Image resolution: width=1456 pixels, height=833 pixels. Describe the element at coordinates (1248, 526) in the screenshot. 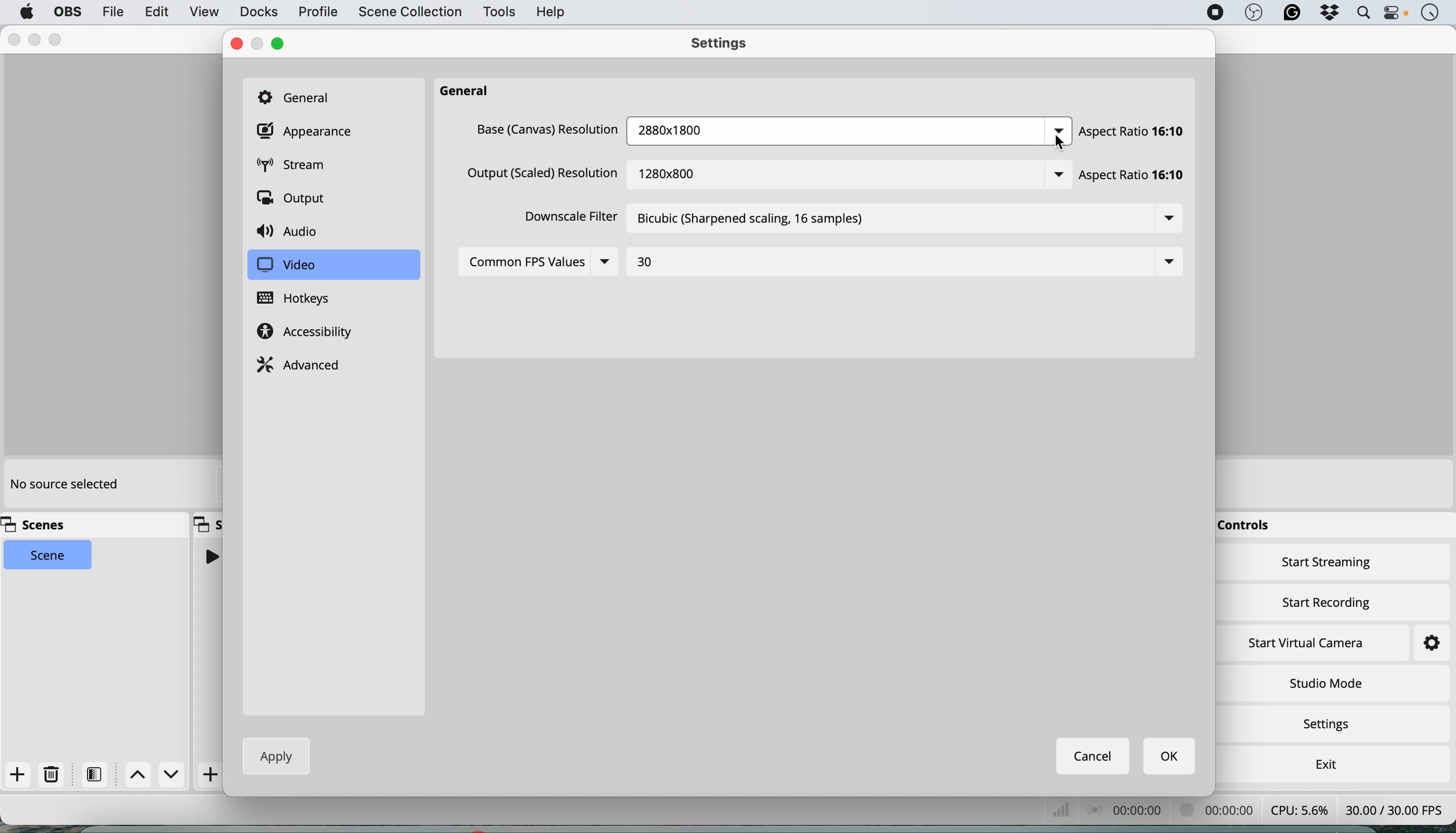

I see `controls` at that location.